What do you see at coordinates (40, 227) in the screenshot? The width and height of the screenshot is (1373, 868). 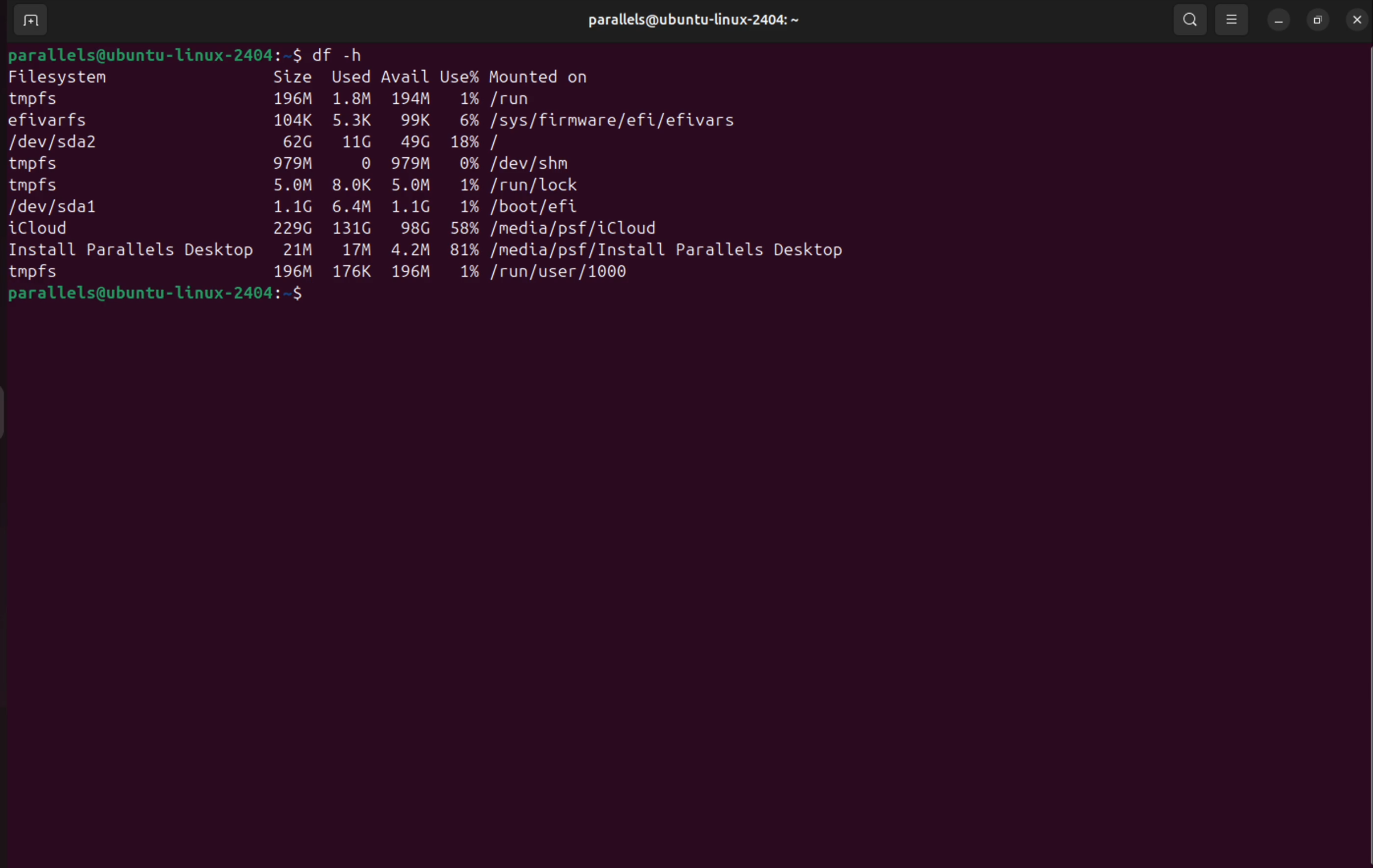 I see `i Cloud` at bounding box center [40, 227].